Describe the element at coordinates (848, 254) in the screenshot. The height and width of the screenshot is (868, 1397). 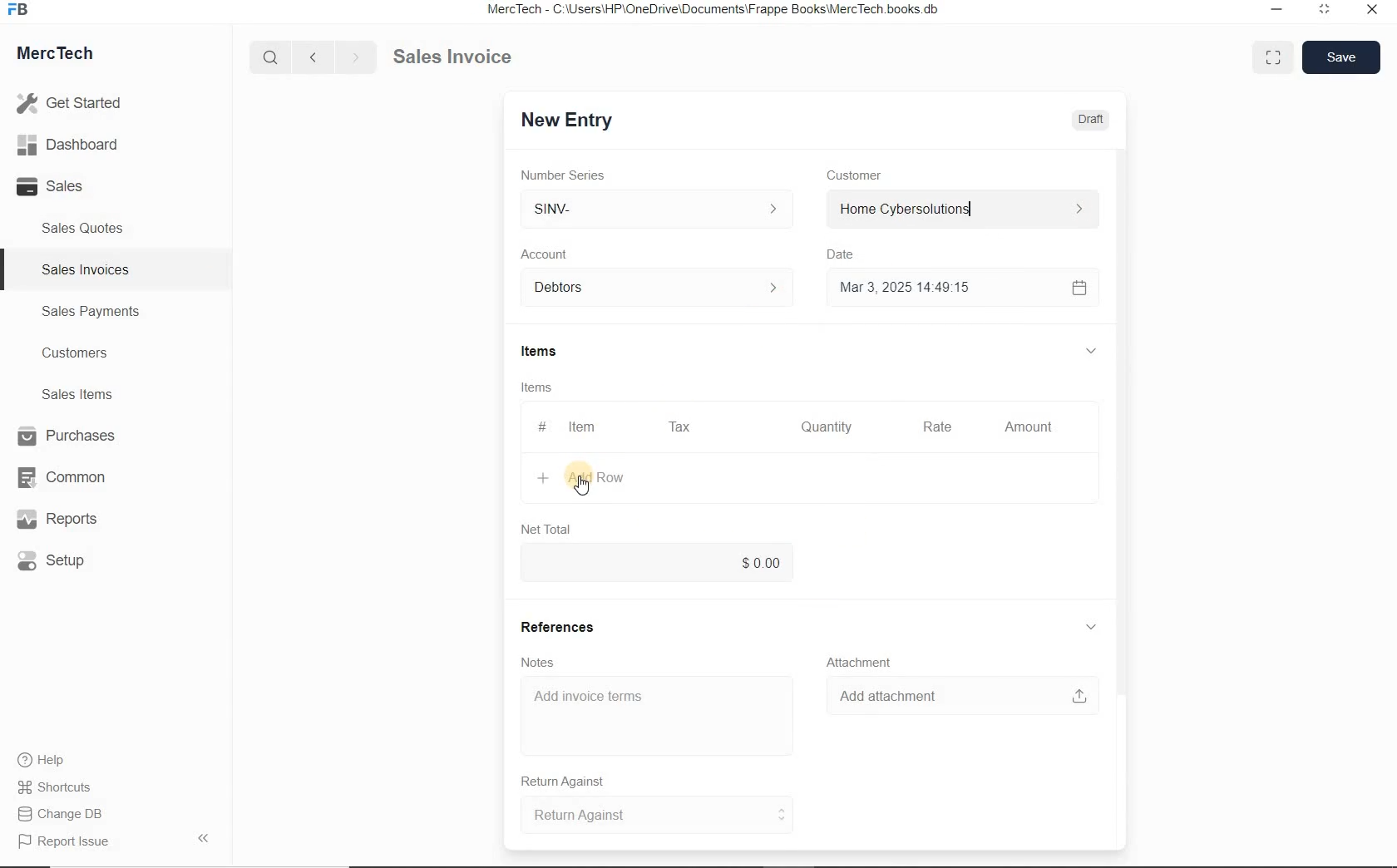
I see `Date` at that location.